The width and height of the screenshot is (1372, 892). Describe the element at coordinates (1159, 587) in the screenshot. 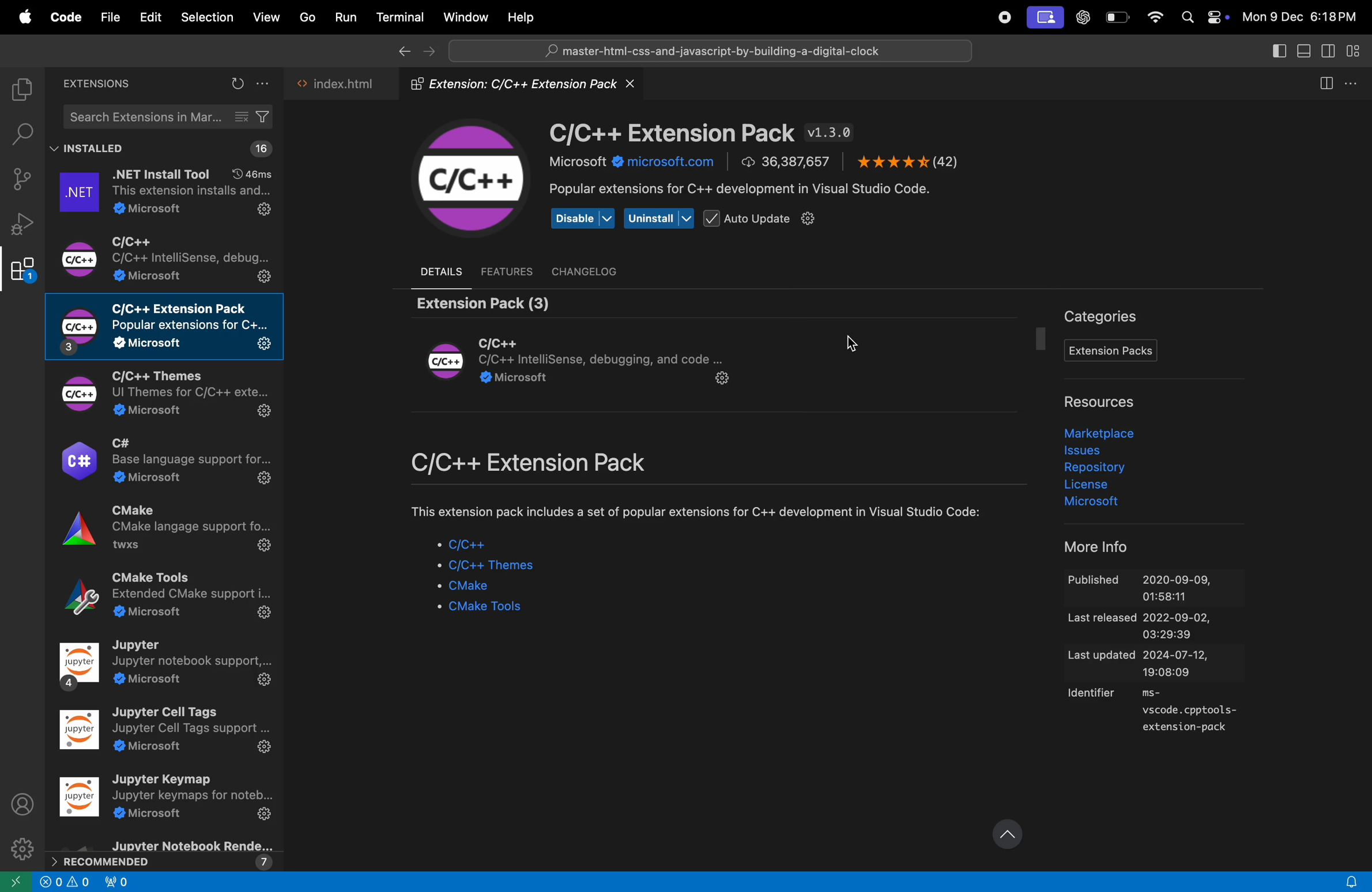

I see `Published` at that location.